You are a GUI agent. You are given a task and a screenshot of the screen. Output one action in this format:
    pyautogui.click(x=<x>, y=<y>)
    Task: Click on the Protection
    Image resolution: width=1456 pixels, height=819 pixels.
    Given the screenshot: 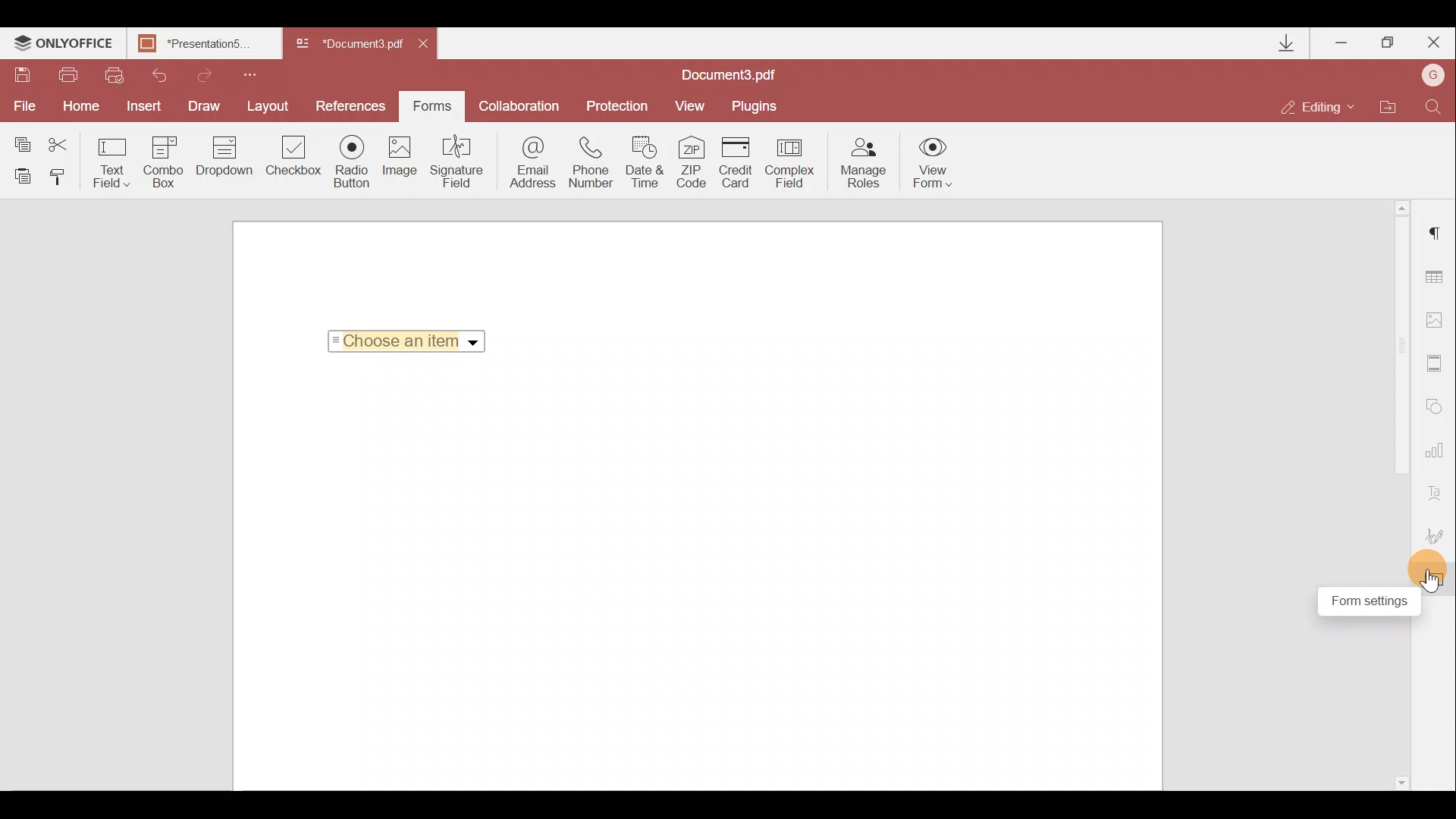 What is the action you would take?
    pyautogui.click(x=615, y=105)
    